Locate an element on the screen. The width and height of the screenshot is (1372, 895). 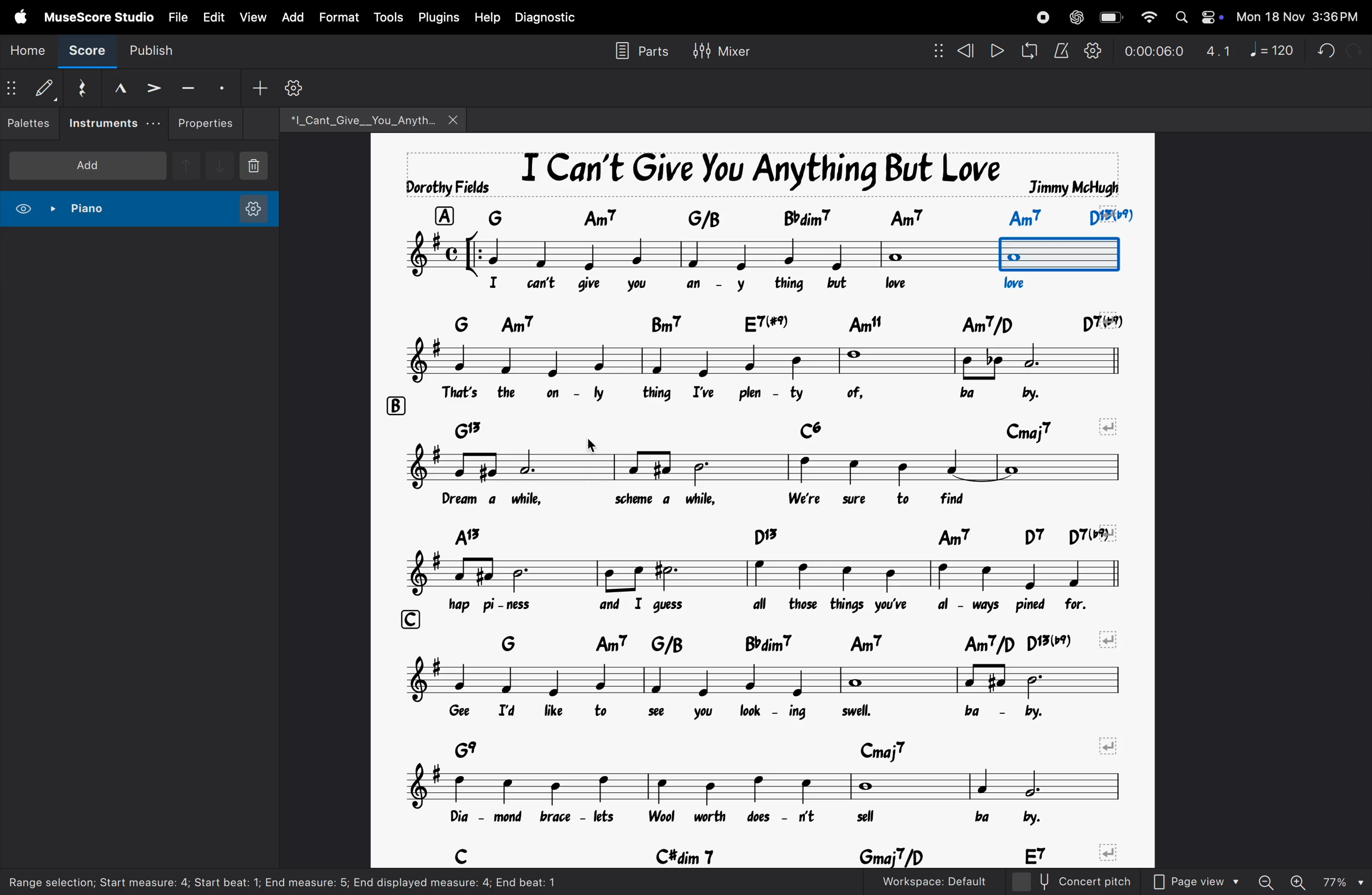
notes is located at coordinates (774, 681).